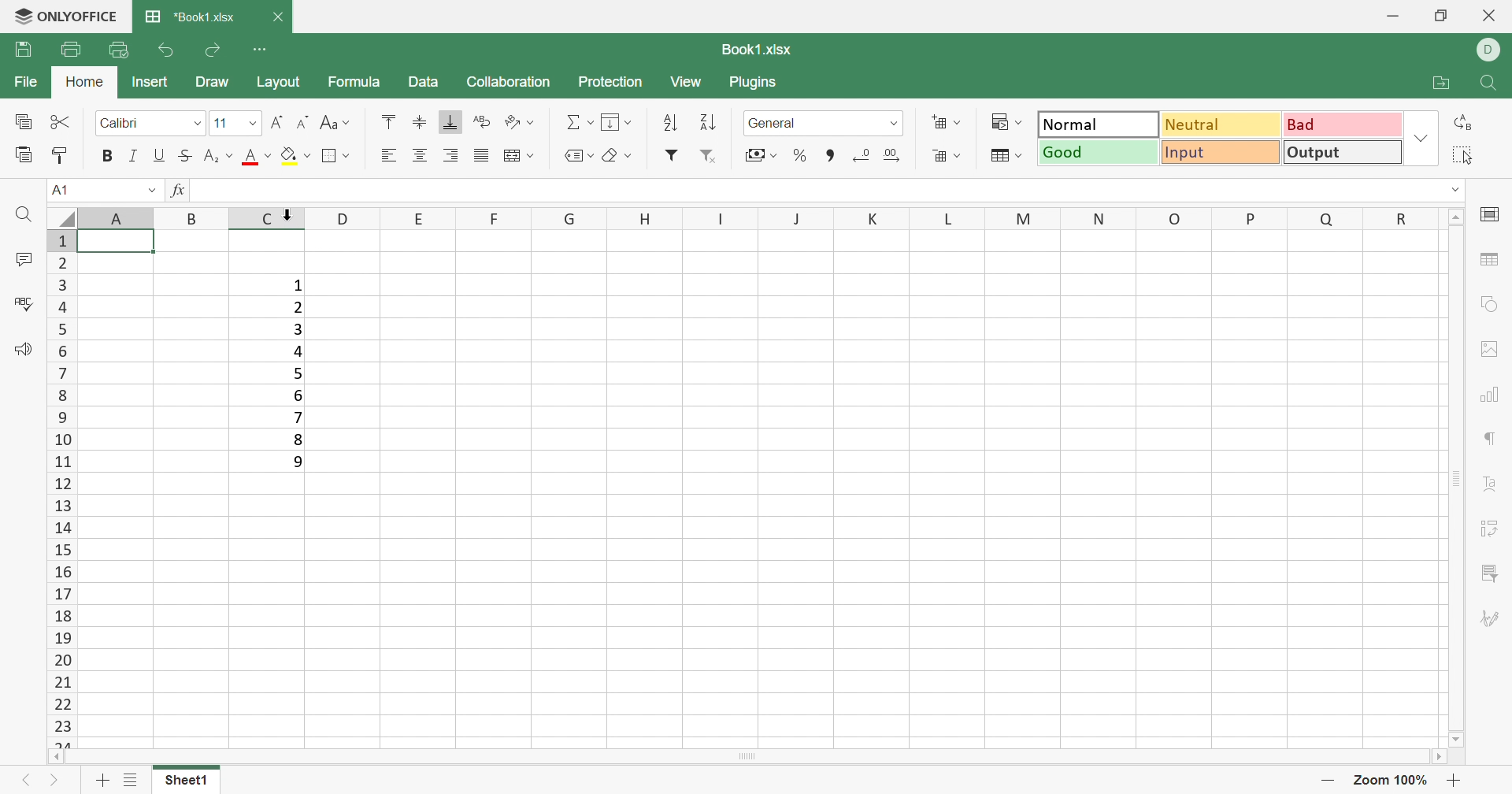 This screenshot has width=1512, height=794. I want to click on Undo, so click(167, 52).